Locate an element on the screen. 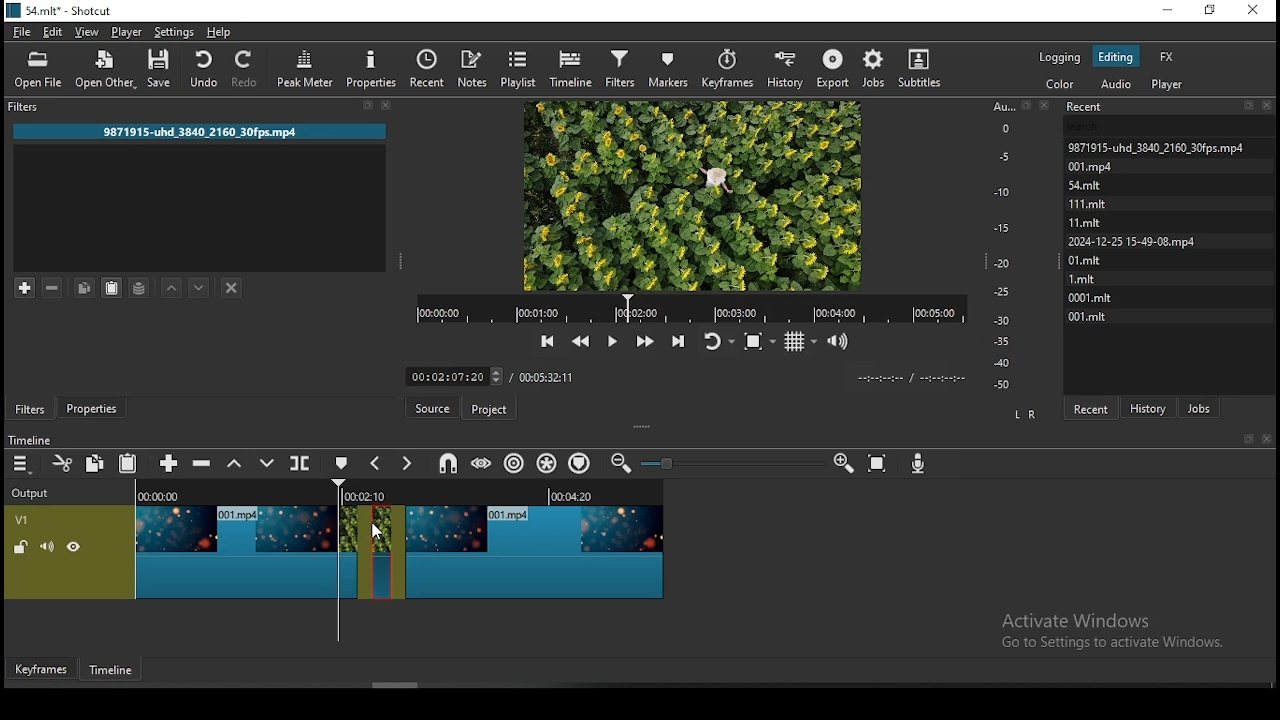  notes is located at coordinates (471, 68).